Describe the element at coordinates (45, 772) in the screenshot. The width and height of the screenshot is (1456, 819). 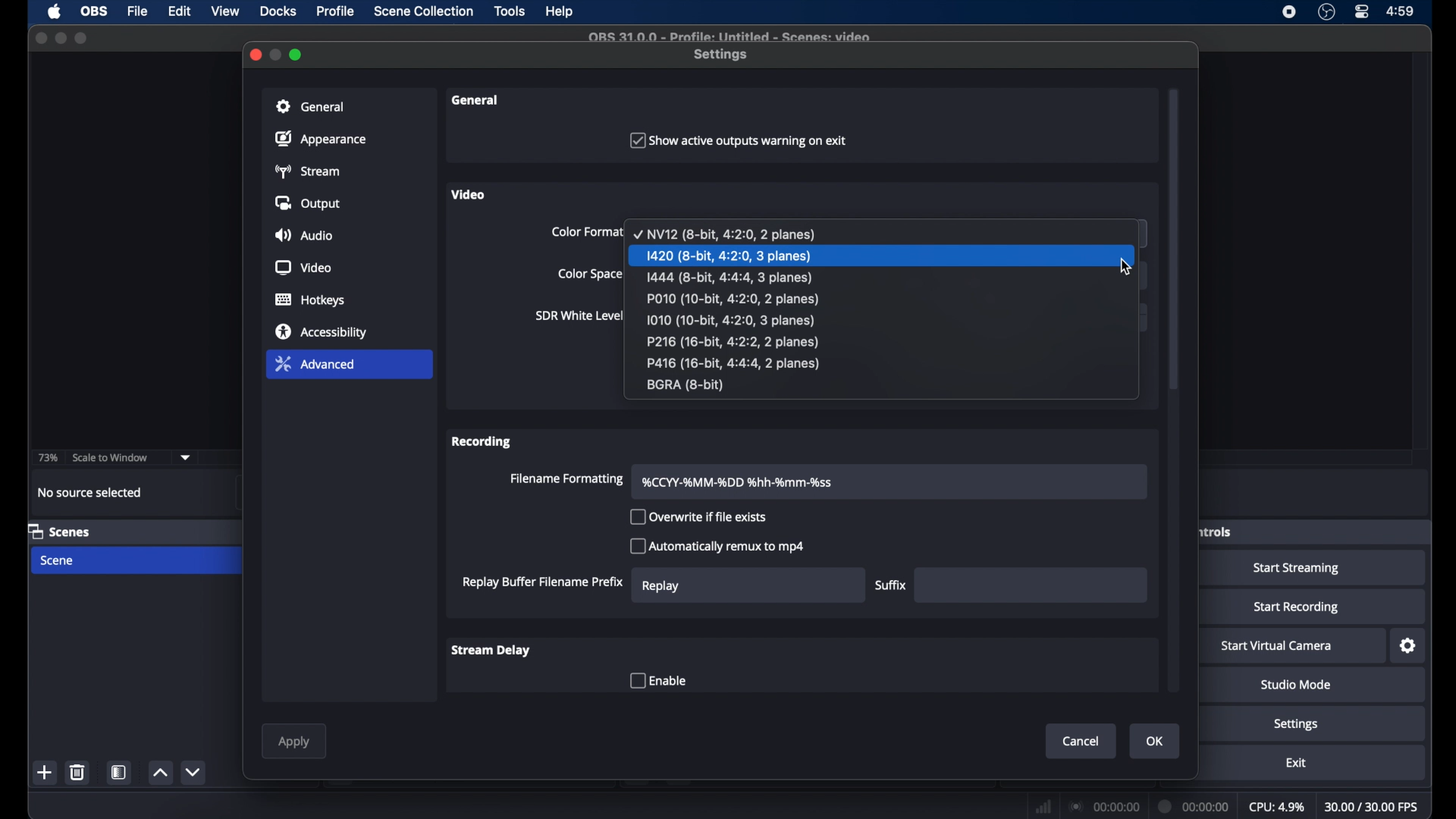
I see `add` at that location.